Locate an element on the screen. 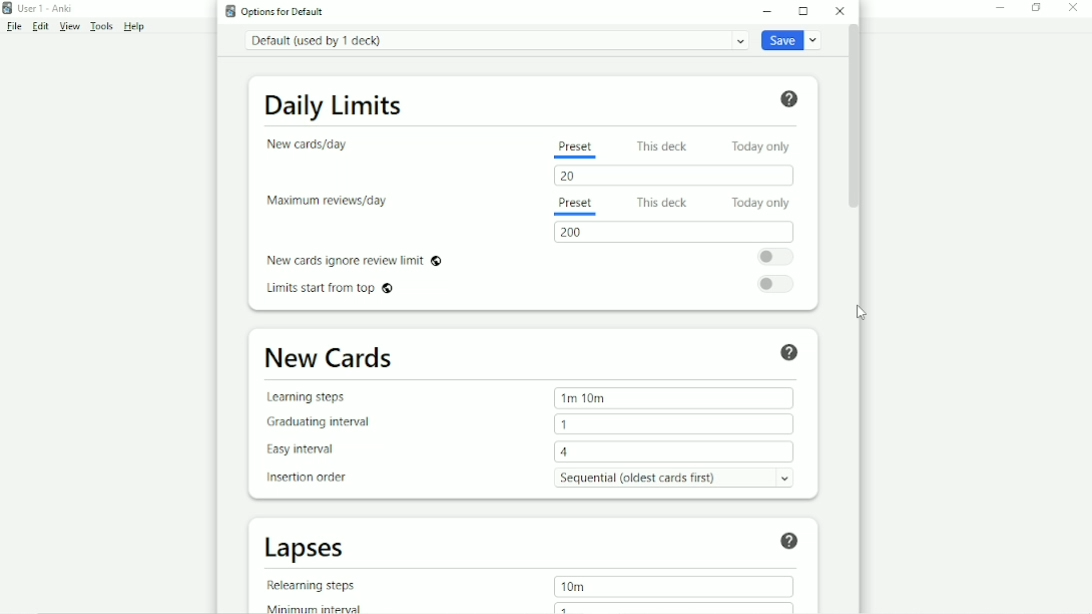 This screenshot has height=614, width=1092. View is located at coordinates (71, 27).